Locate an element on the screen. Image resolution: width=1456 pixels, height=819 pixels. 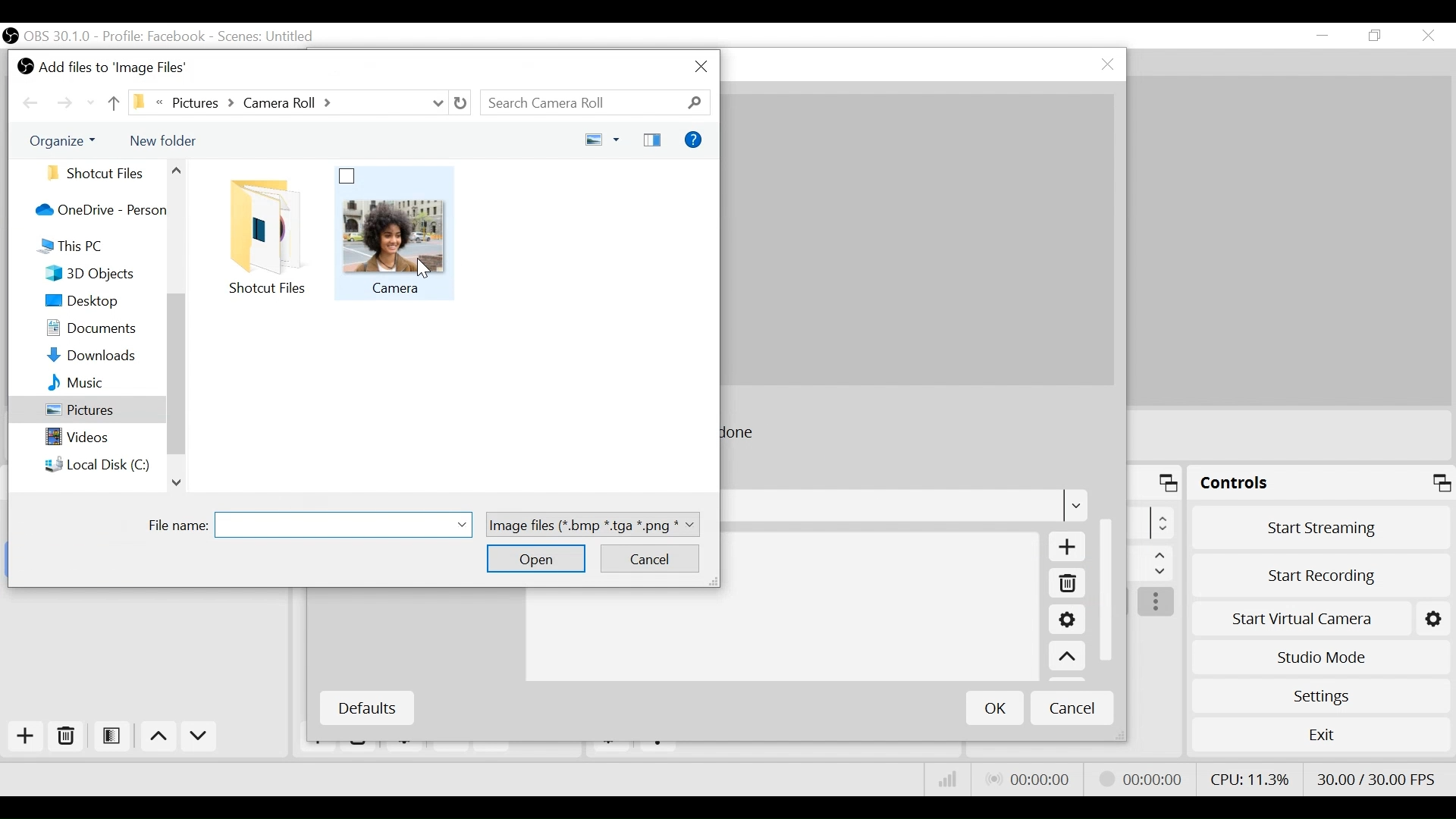
Live Status is located at coordinates (1027, 780).